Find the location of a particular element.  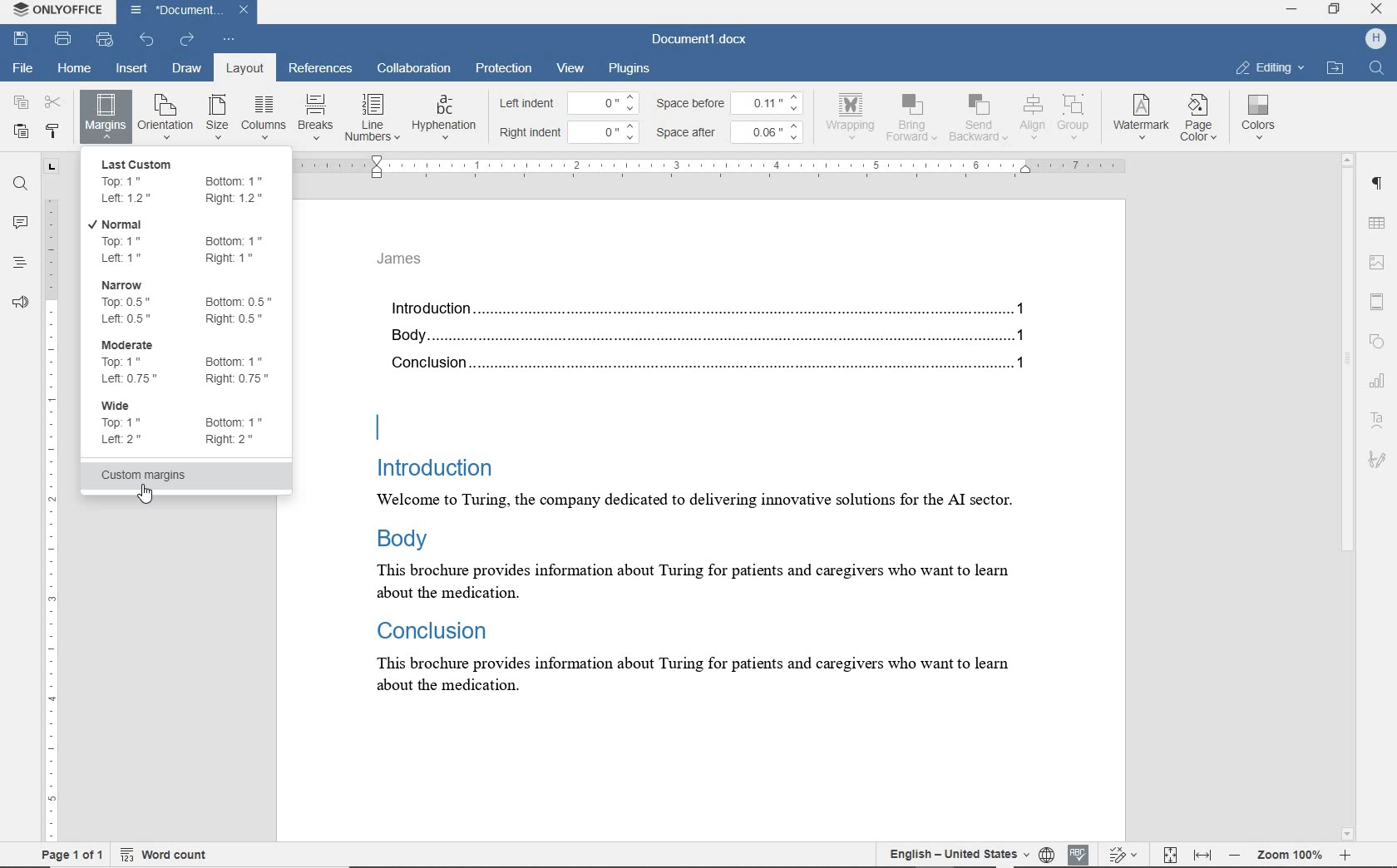

image is located at coordinates (1379, 260).